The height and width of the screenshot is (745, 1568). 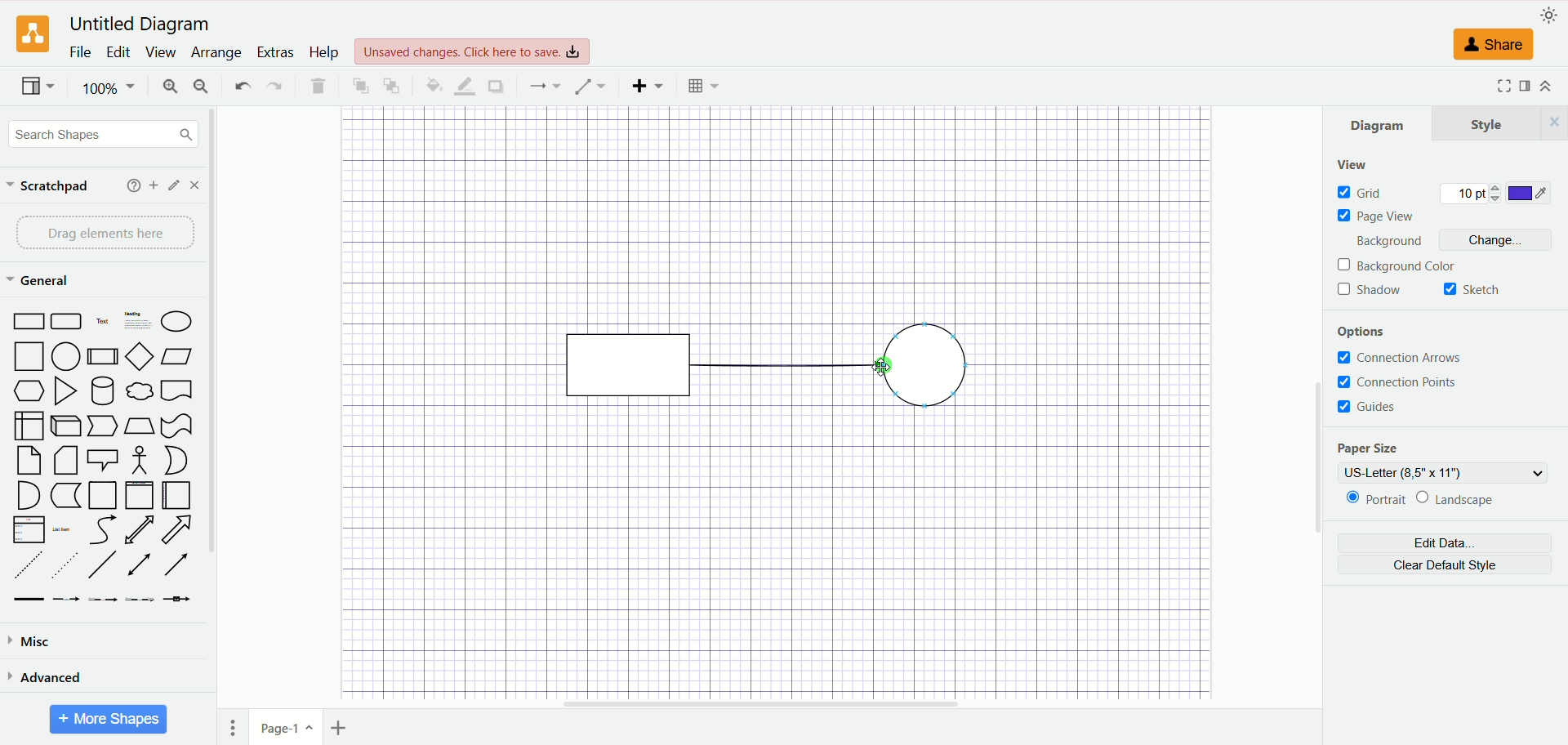 I want to click on Circle Segment, so click(x=176, y=461).